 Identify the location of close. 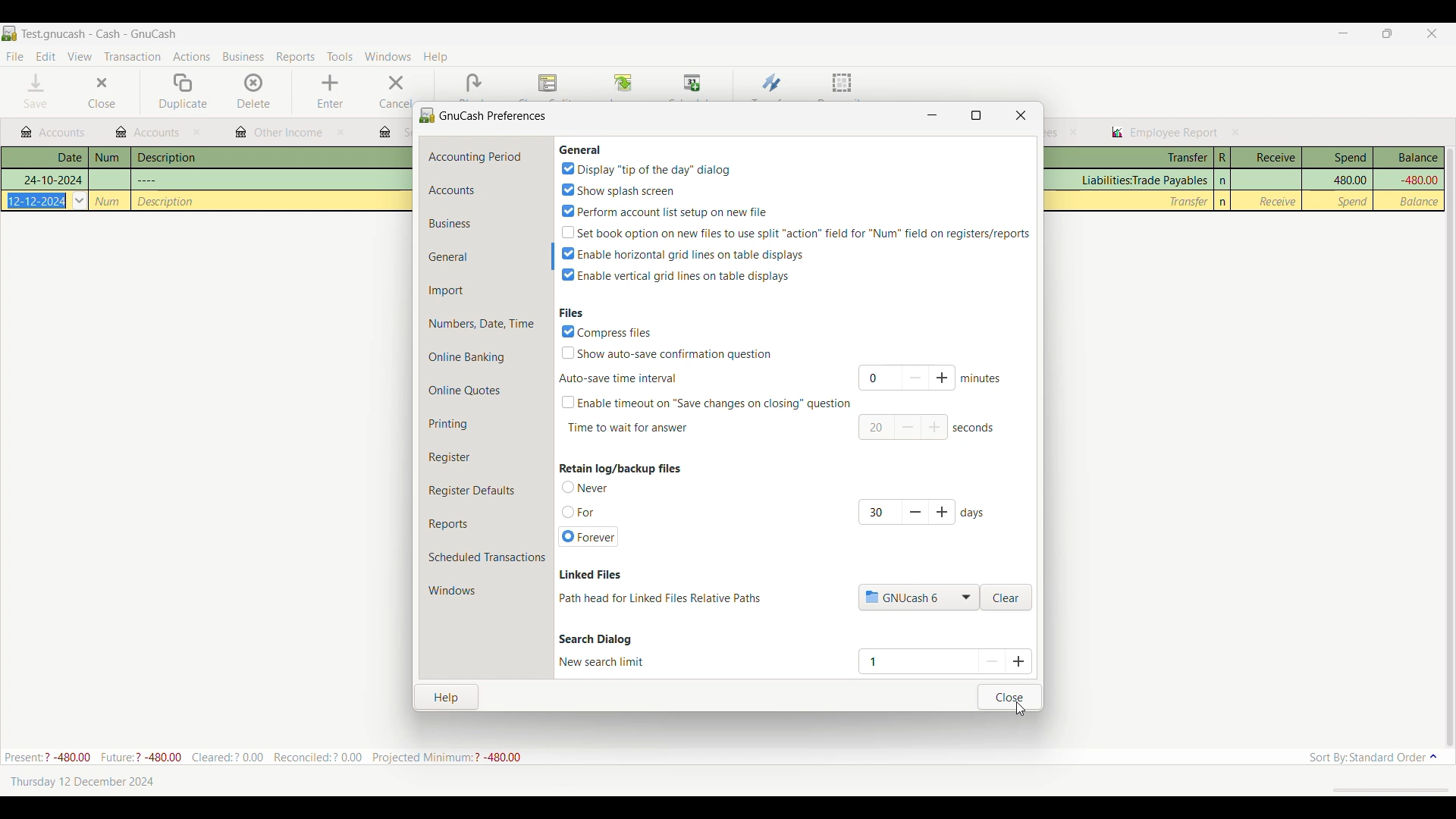
(199, 133).